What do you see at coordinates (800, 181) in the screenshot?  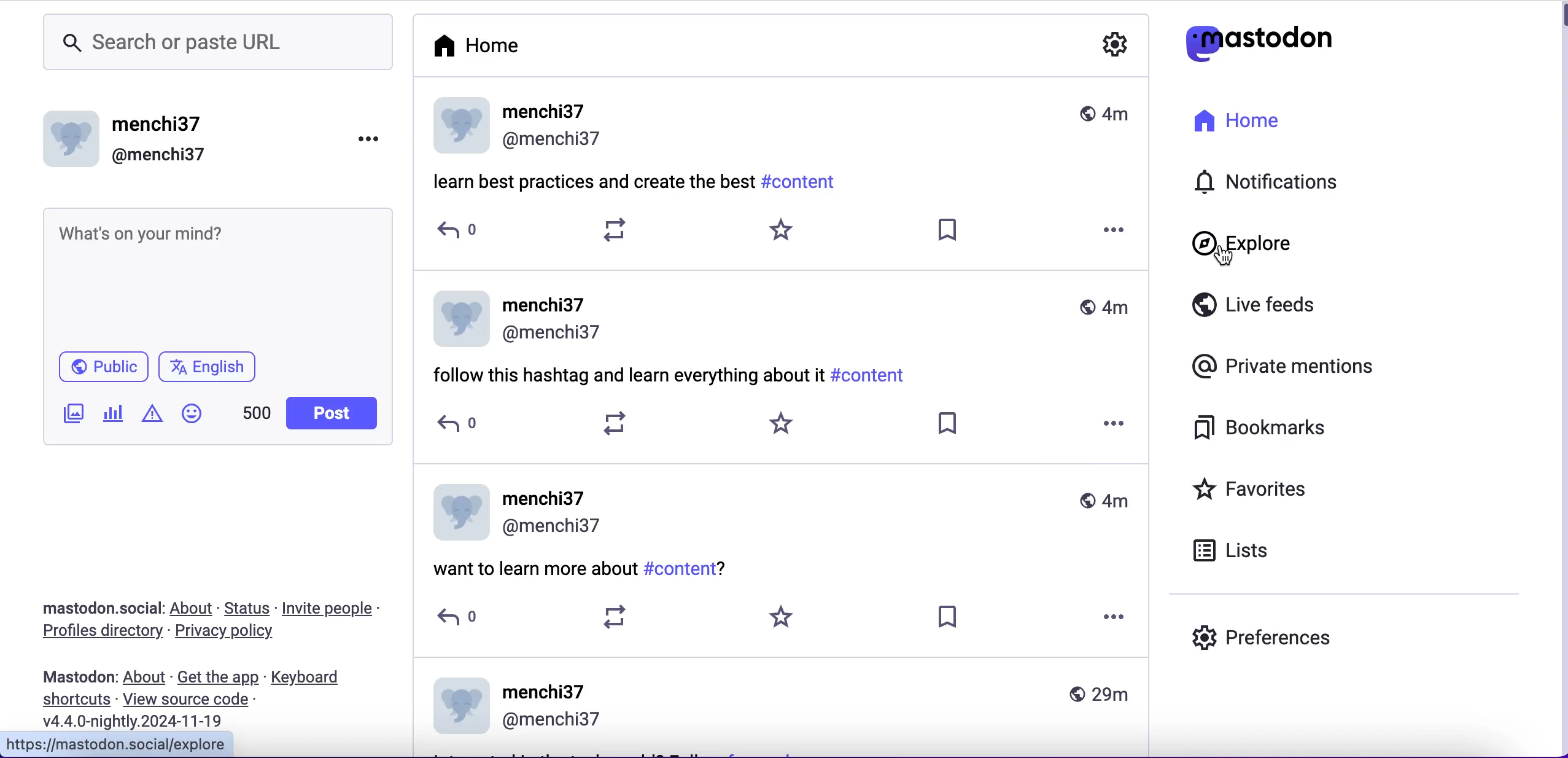 I see `hashtag` at bounding box center [800, 181].